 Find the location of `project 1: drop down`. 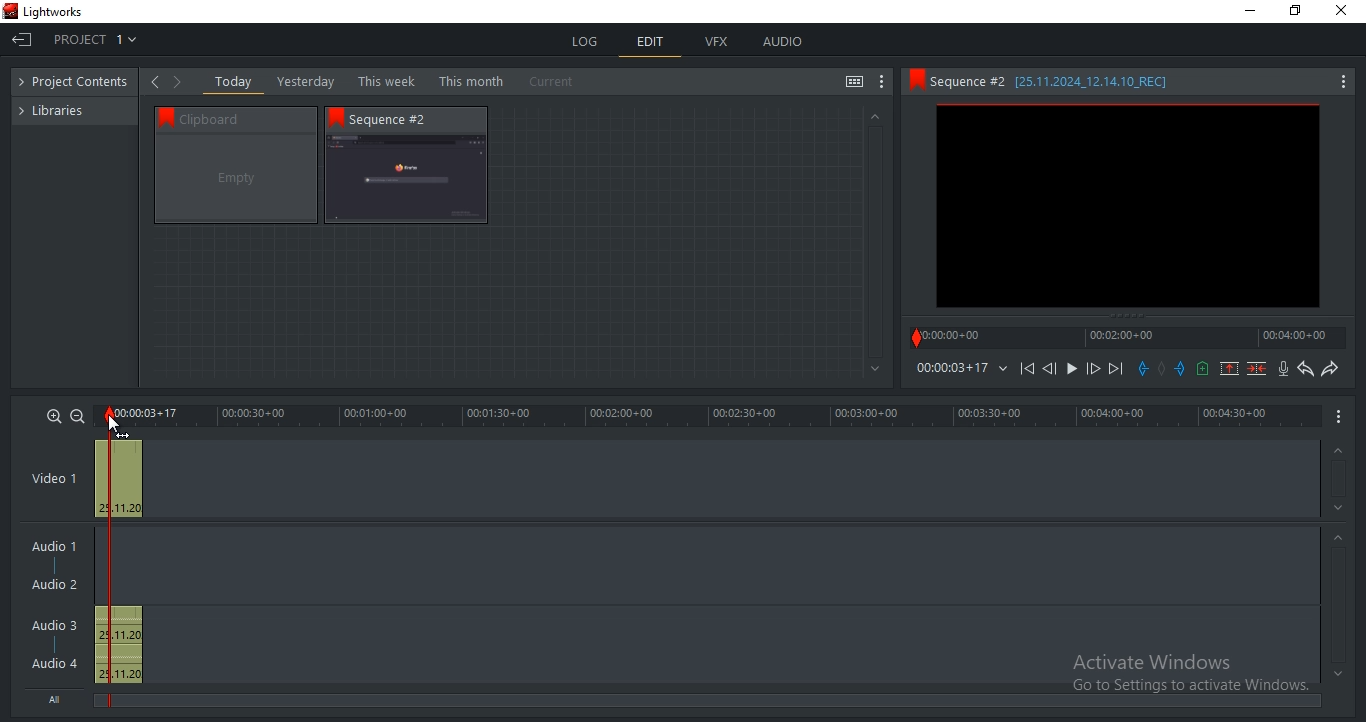

project 1: drop down is located at coordinates (100, 40).